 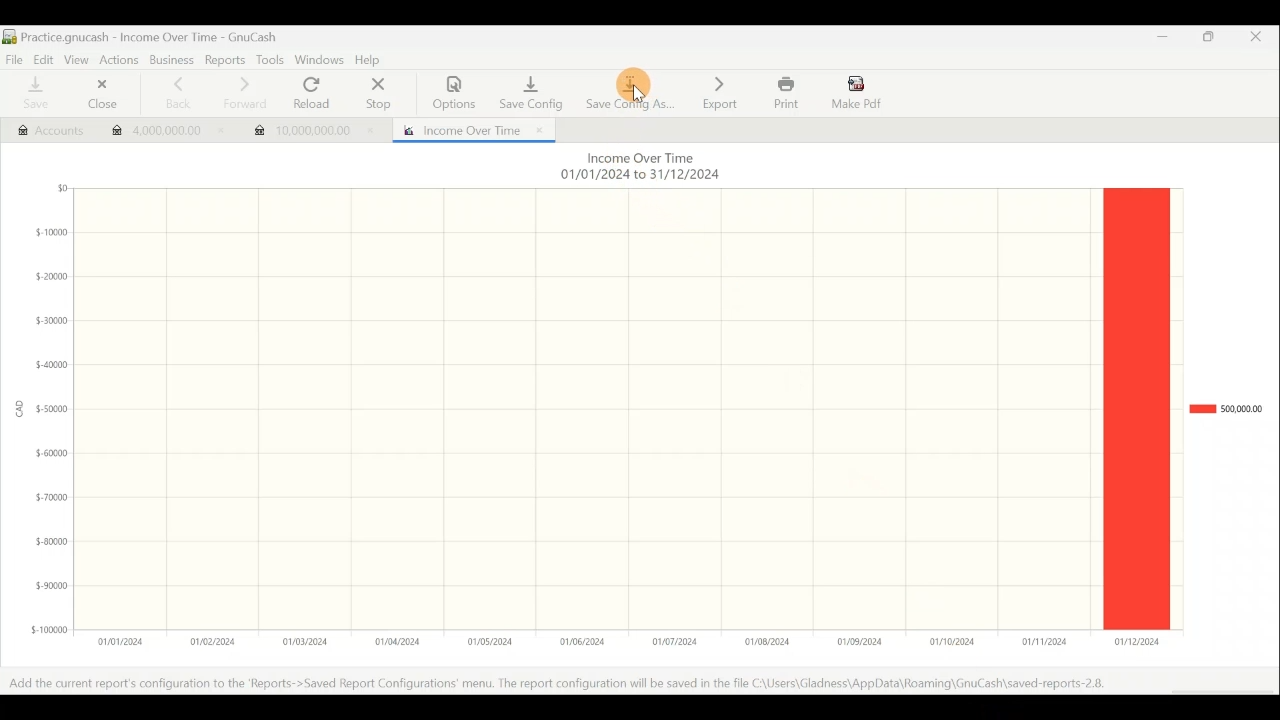 What do you see at coordinates (243, 93) in the screenshot?
I see `Forward` at bounding box center [243, 93].